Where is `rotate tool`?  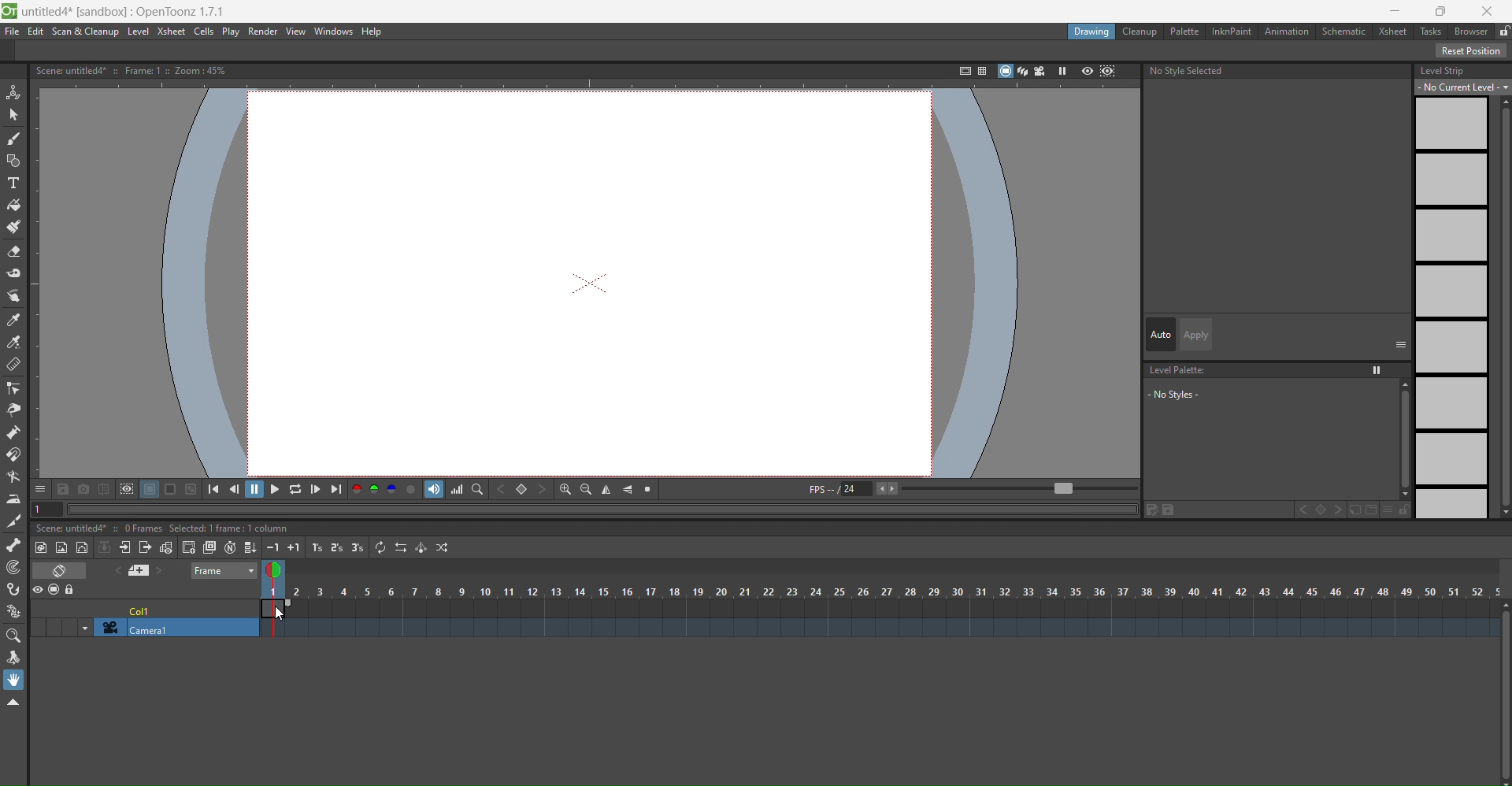 rotate tool is located at coordinates (13, 658).